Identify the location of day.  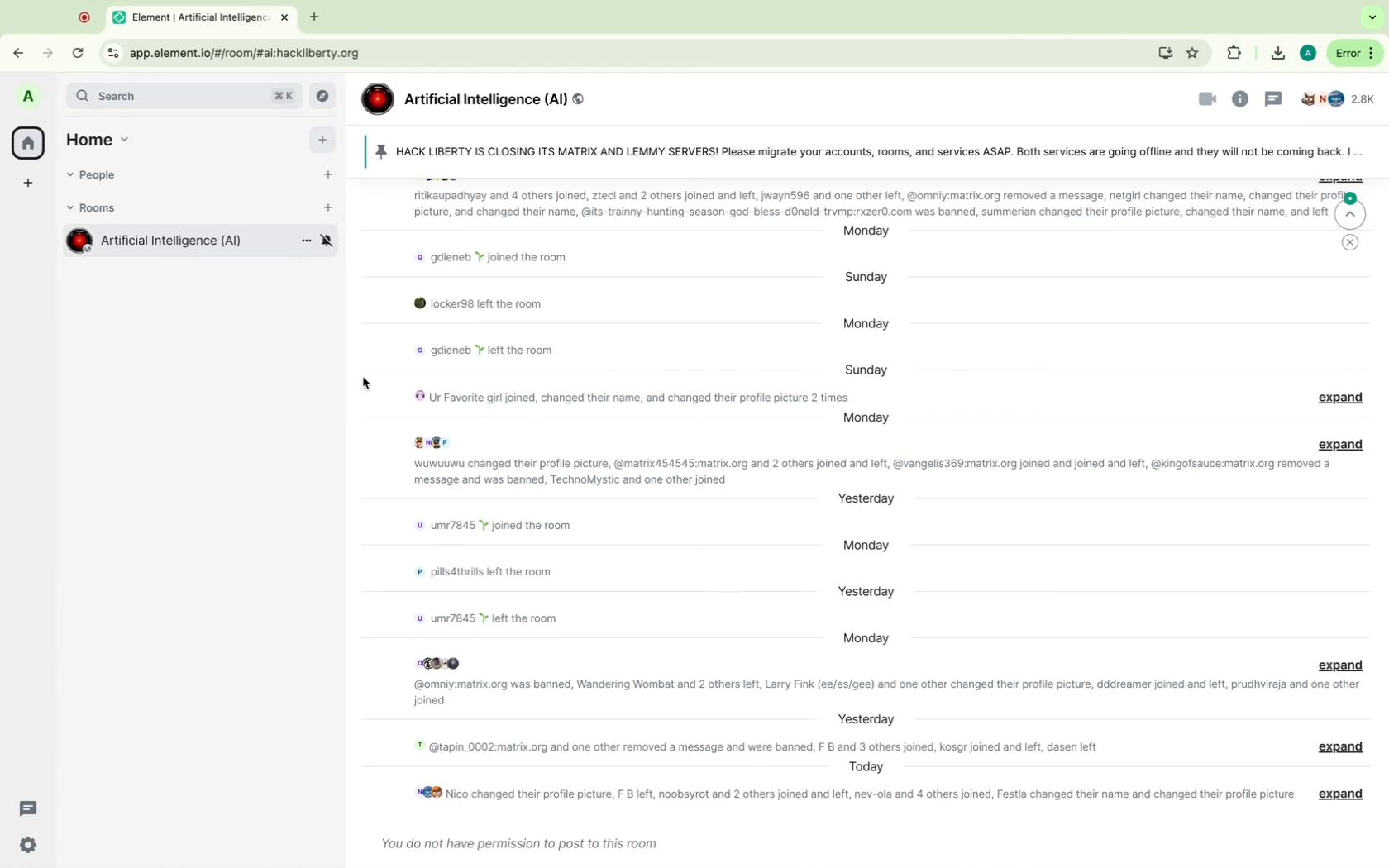
(871, 276).